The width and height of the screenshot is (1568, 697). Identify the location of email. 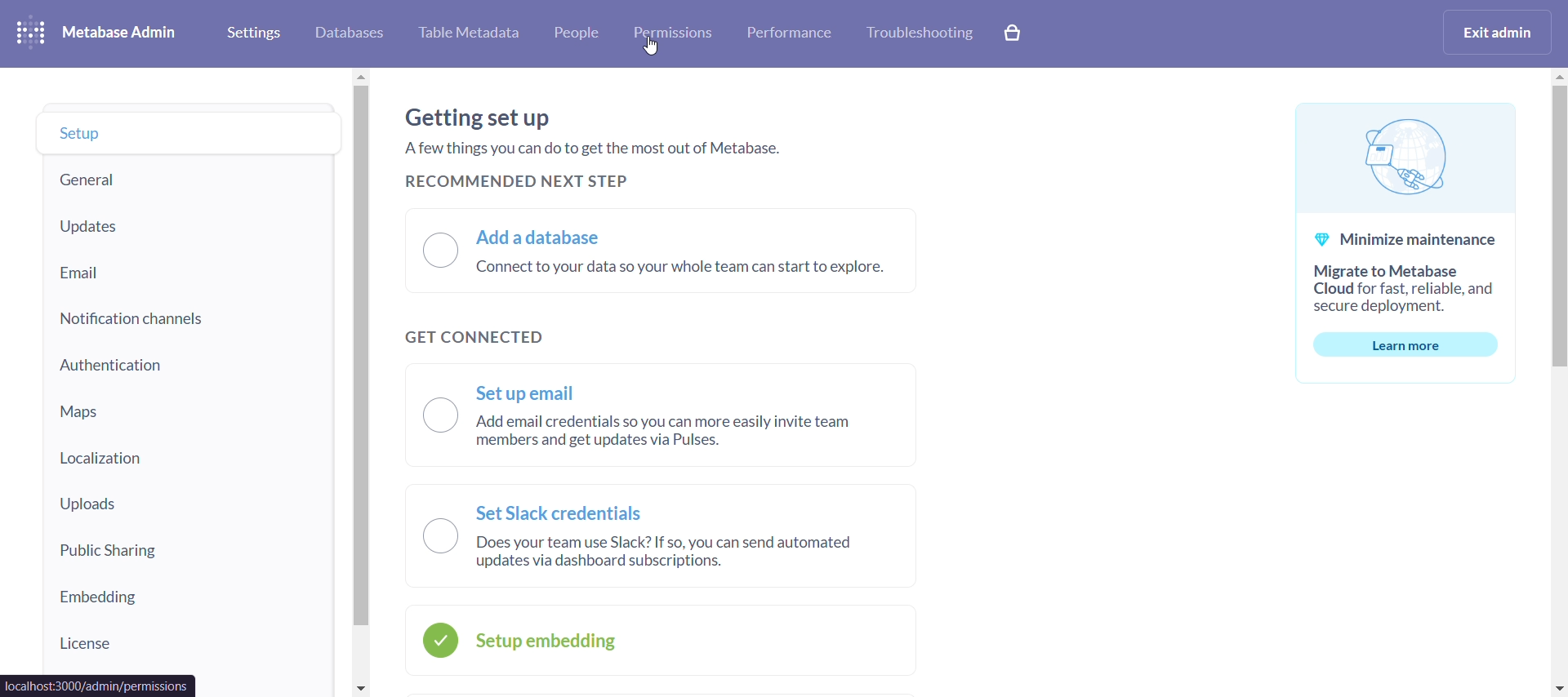
(184, 268).